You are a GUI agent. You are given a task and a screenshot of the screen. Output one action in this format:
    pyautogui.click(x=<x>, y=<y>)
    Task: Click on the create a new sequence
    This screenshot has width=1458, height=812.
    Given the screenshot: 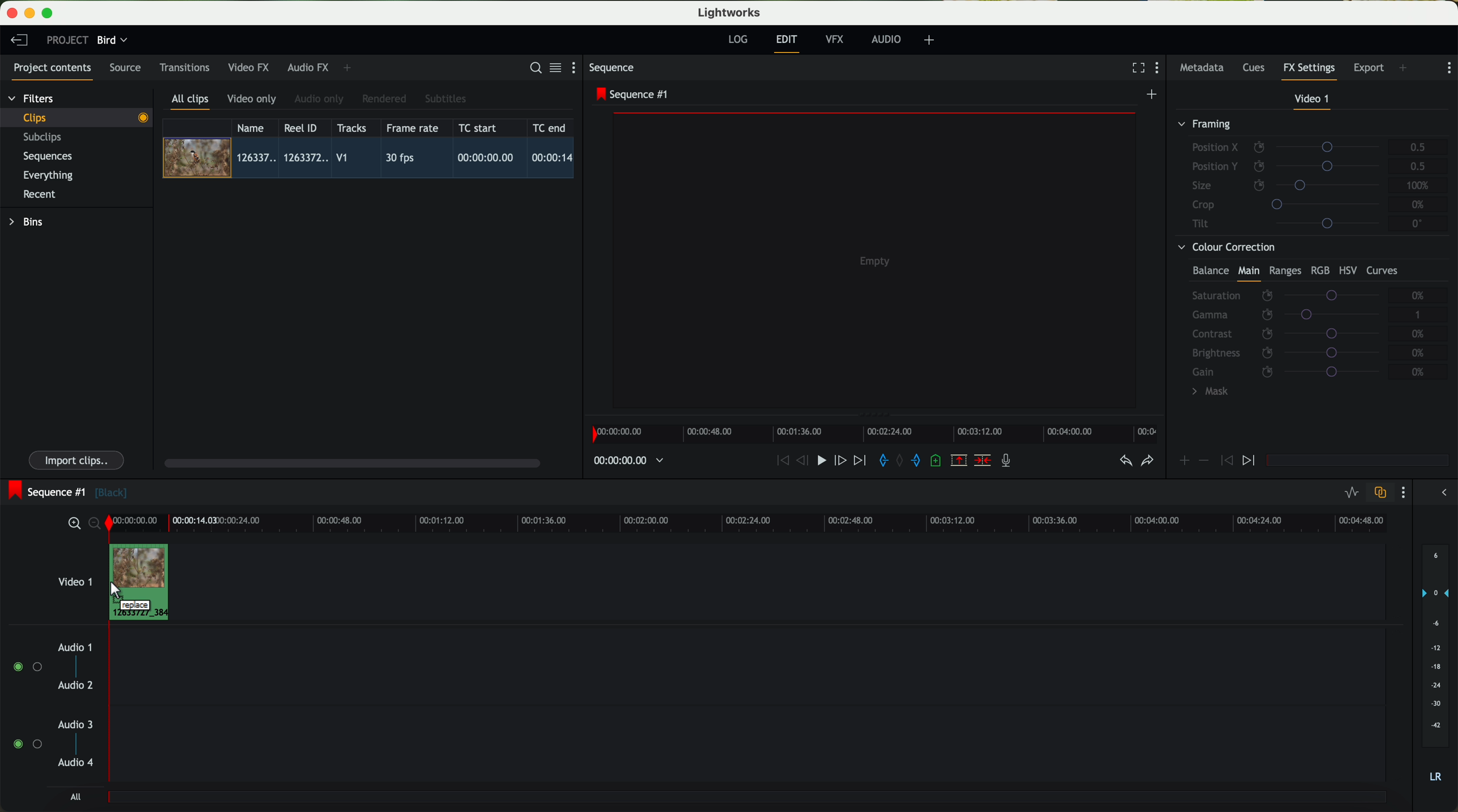 What is the action you would take?
    pyautogui.click(x=1153, y=95)
    